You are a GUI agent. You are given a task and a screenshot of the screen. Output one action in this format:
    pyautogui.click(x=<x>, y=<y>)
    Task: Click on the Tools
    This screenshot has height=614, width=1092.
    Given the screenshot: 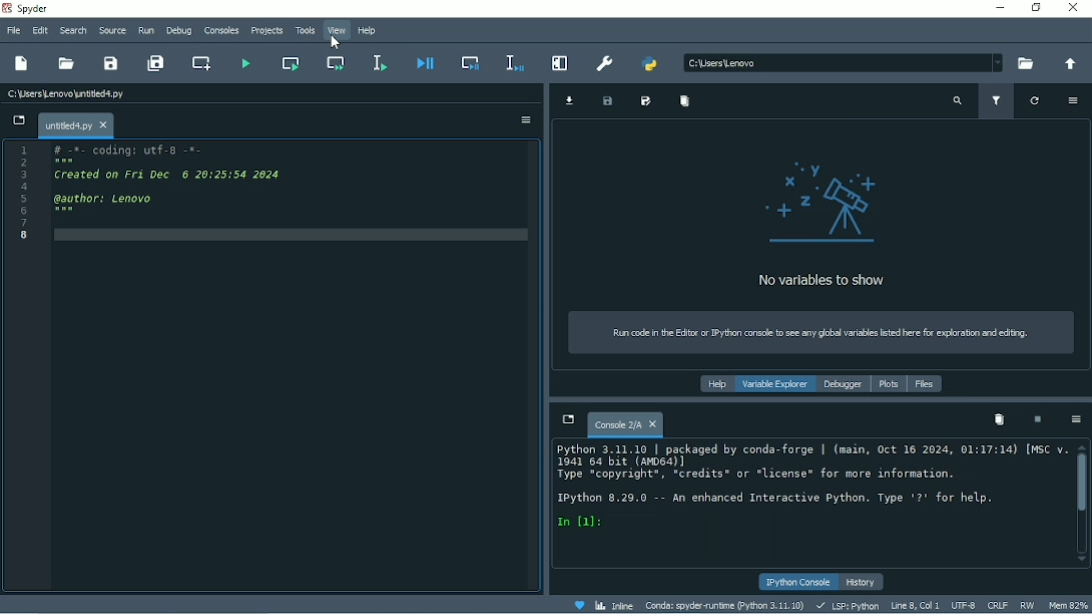 What is the action you would take?
    pyautogui.click(x=305, y=30)
    